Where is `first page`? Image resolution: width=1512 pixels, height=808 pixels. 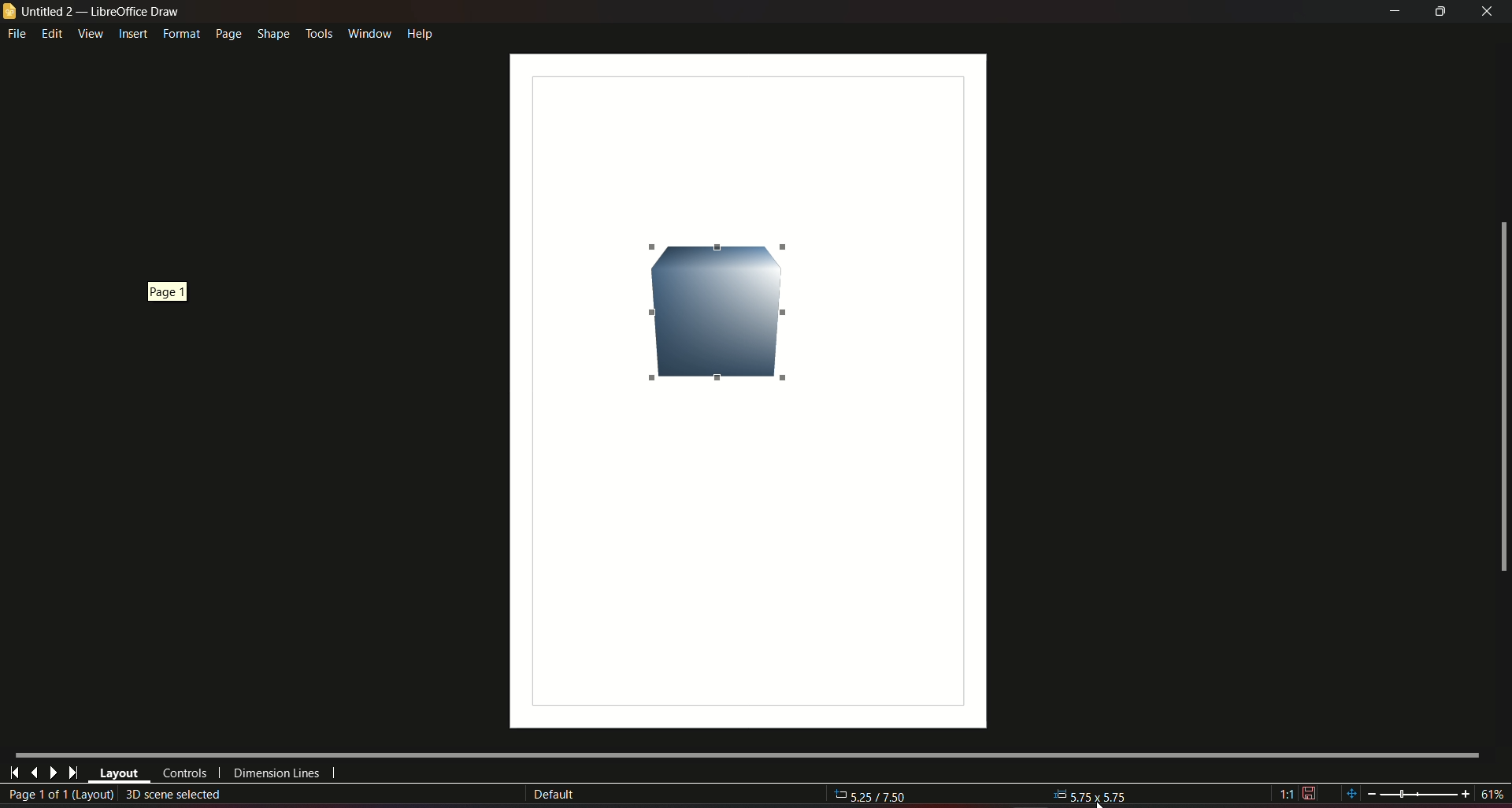
first page is located at coordinates (15, 771).